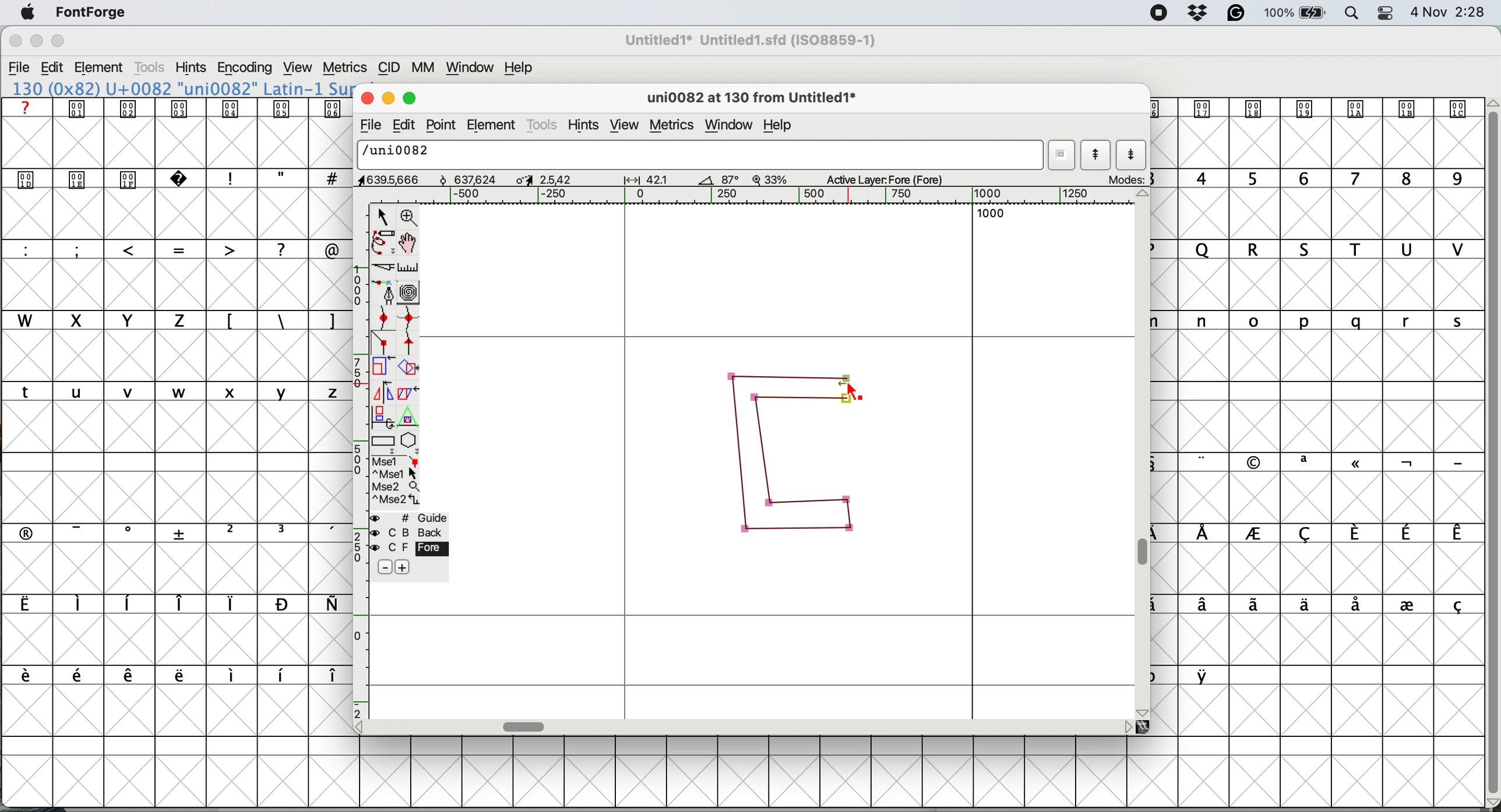 This screenshot has height=812, width=1501. I want to click on stars and polygons, so click(410, 443).